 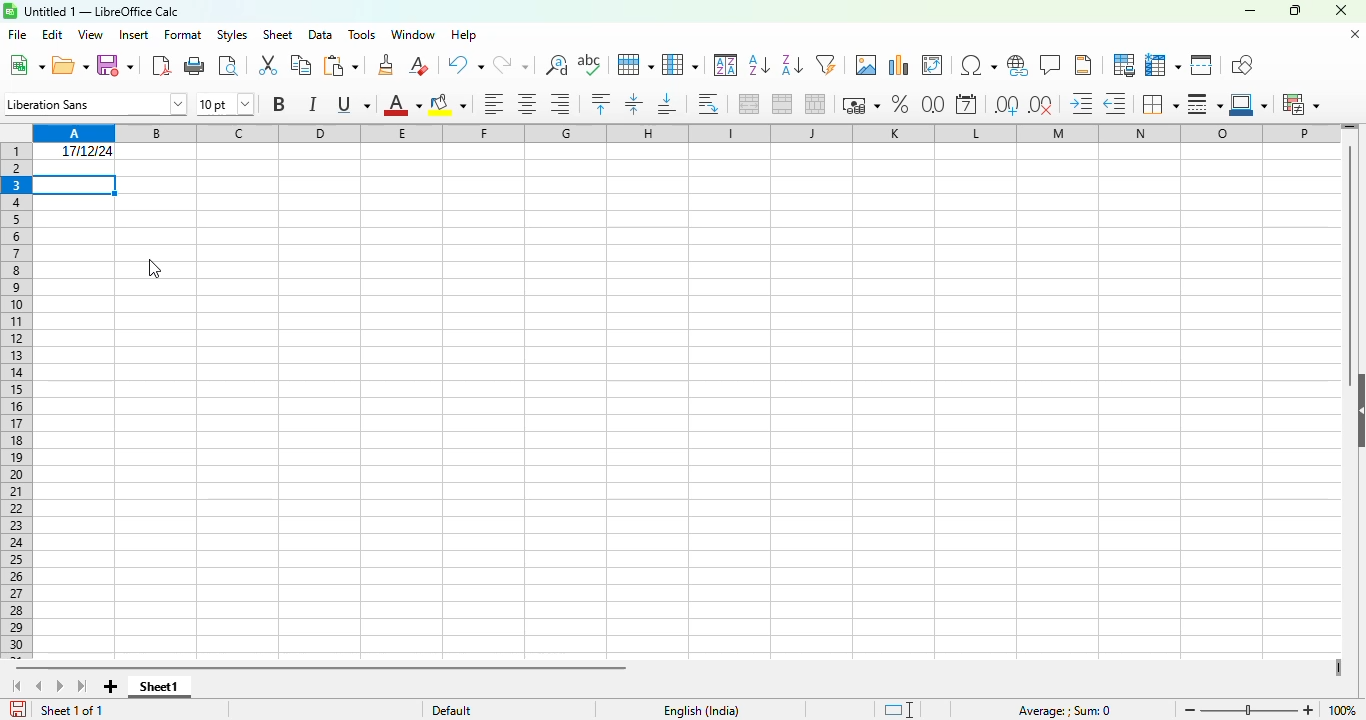 What do you see at coordinates (702, 711) in the screenshot?
I see `text language` at bounding box center [702, 711].